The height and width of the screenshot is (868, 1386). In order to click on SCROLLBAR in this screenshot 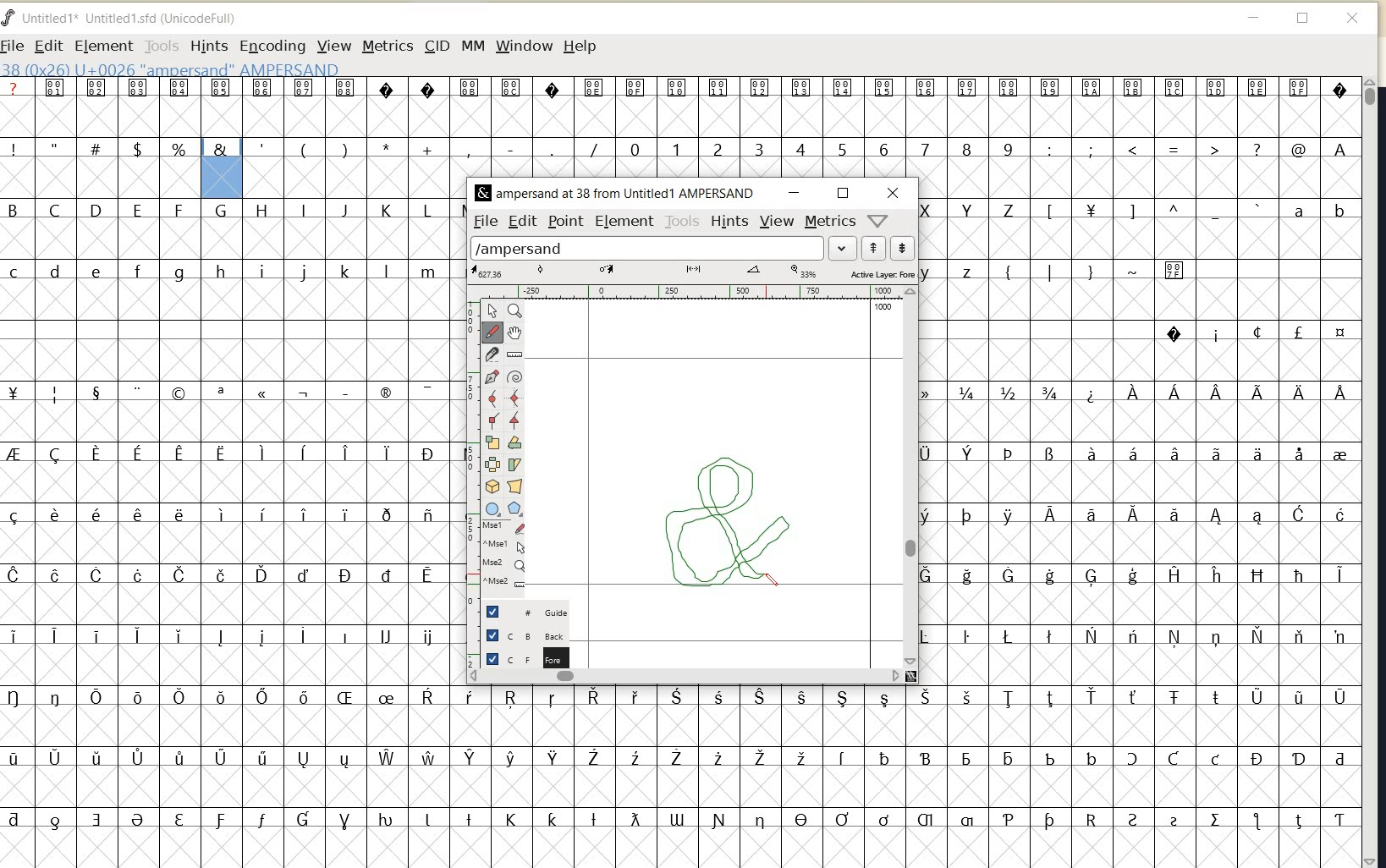, I will do `click(686, 678)`.